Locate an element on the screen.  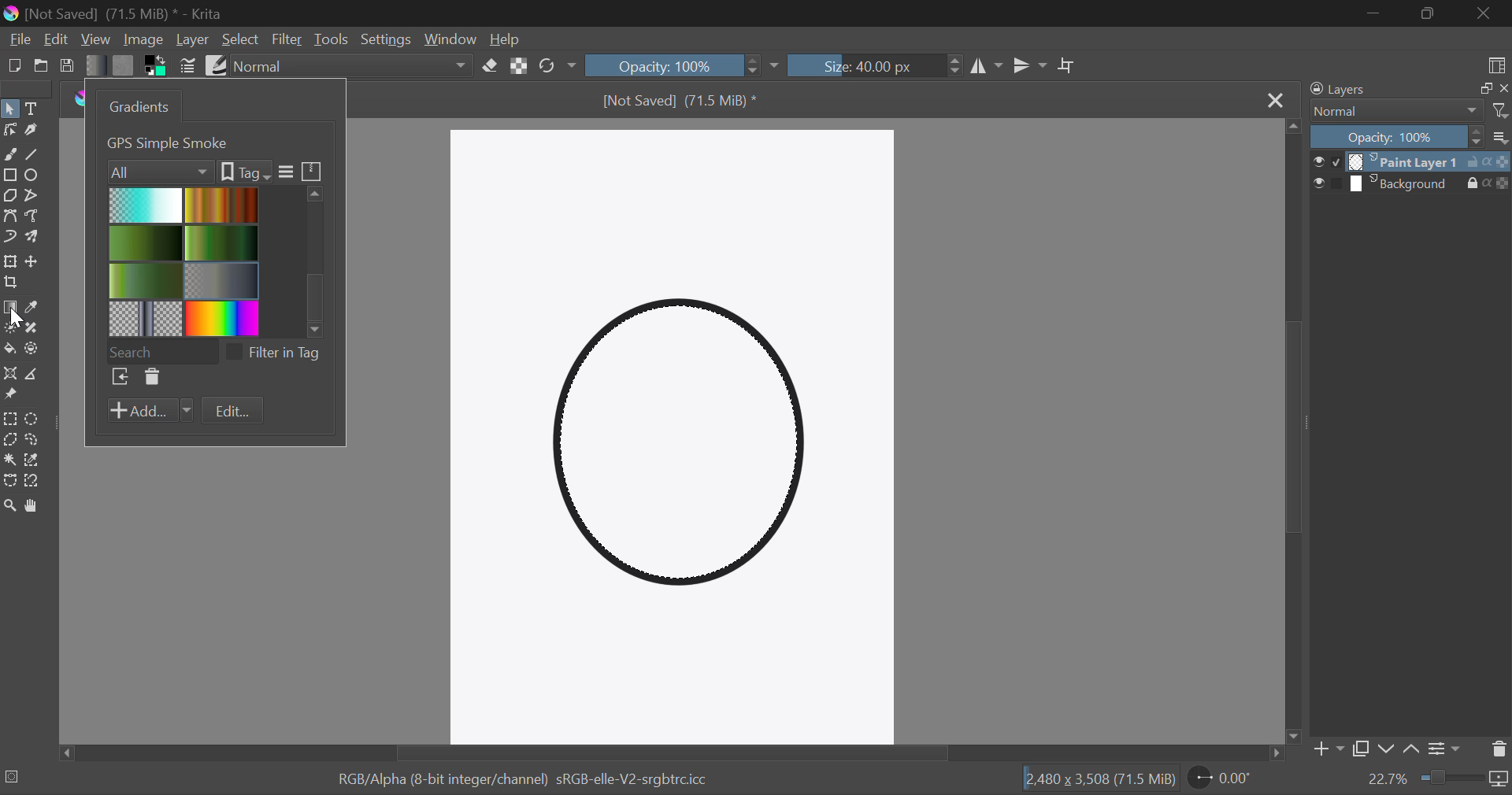
more is located at coordinates (287, 172).